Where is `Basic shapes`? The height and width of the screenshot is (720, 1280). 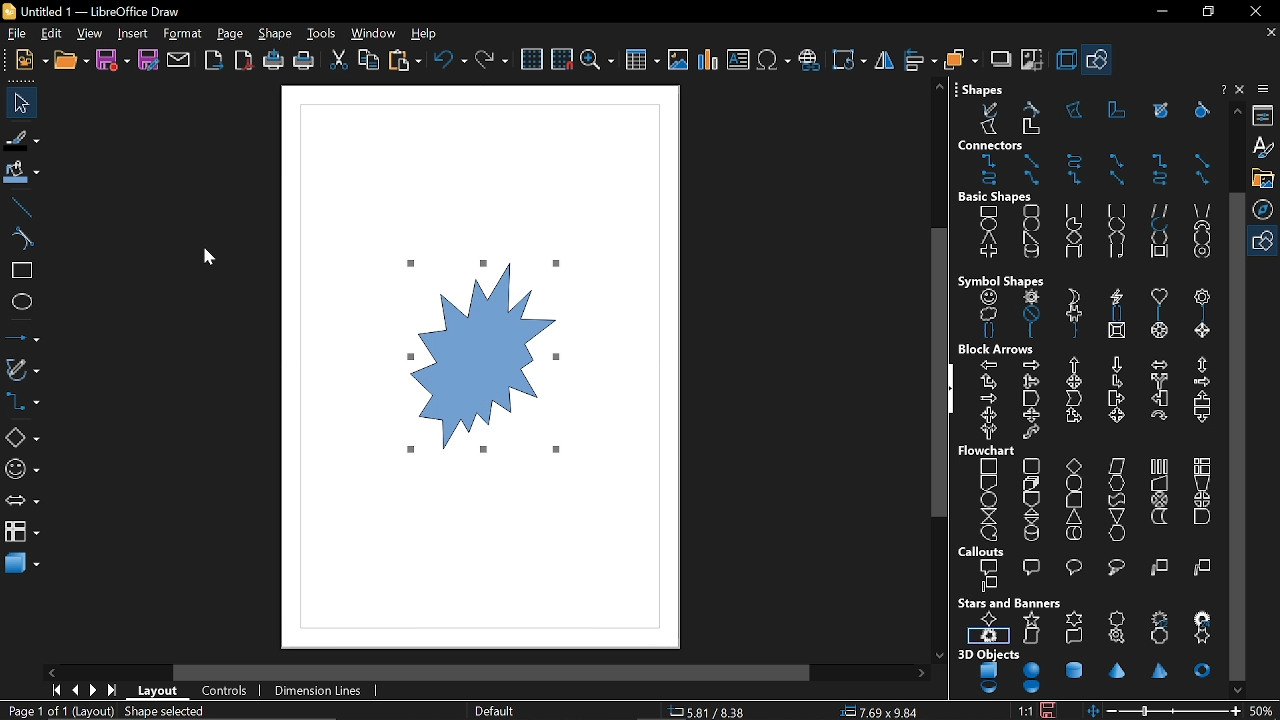
Basic shapes is located at coordinates (1265, 242).